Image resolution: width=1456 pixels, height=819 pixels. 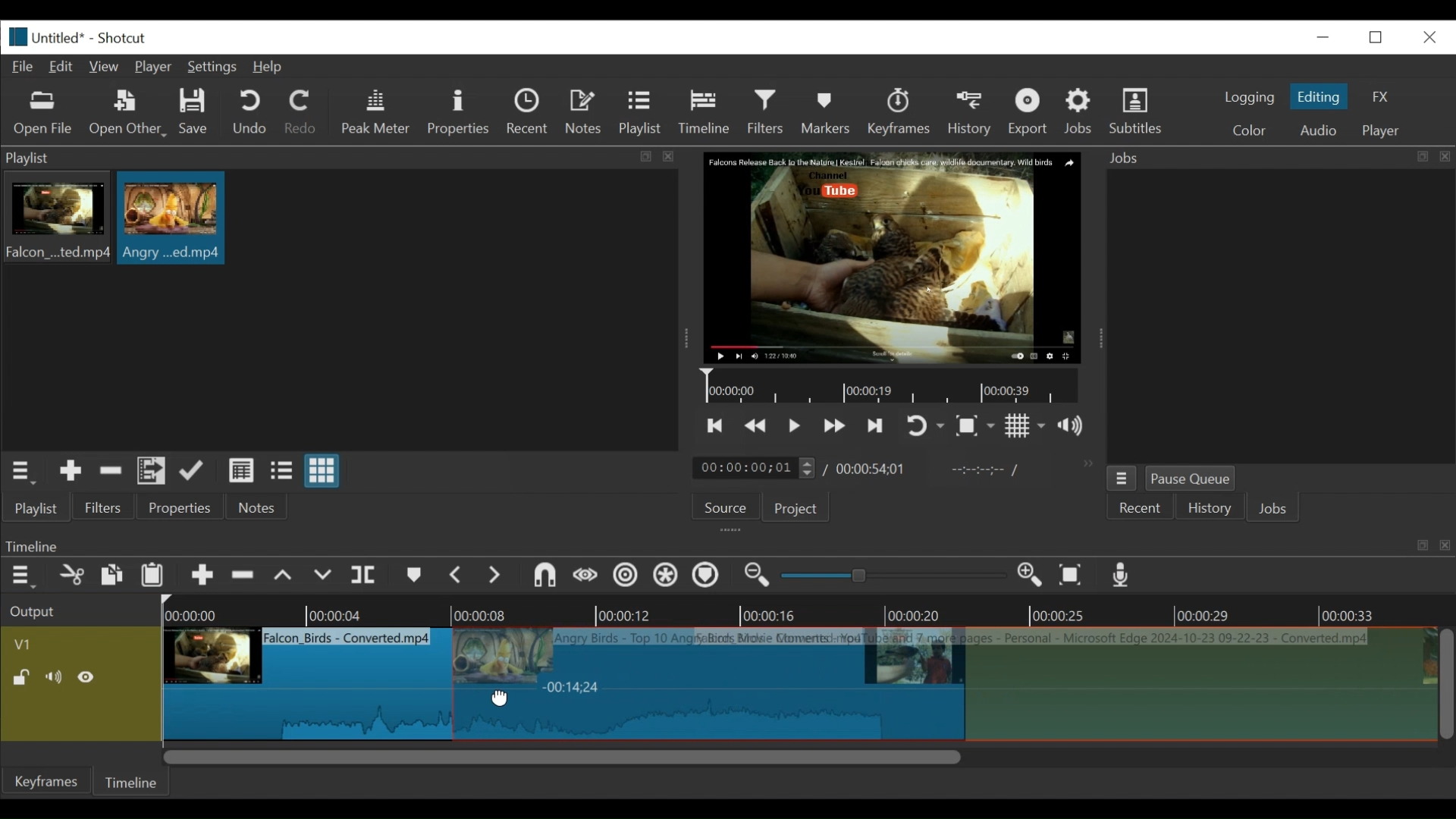 I want to click on snap, so click(x=547, y=577).